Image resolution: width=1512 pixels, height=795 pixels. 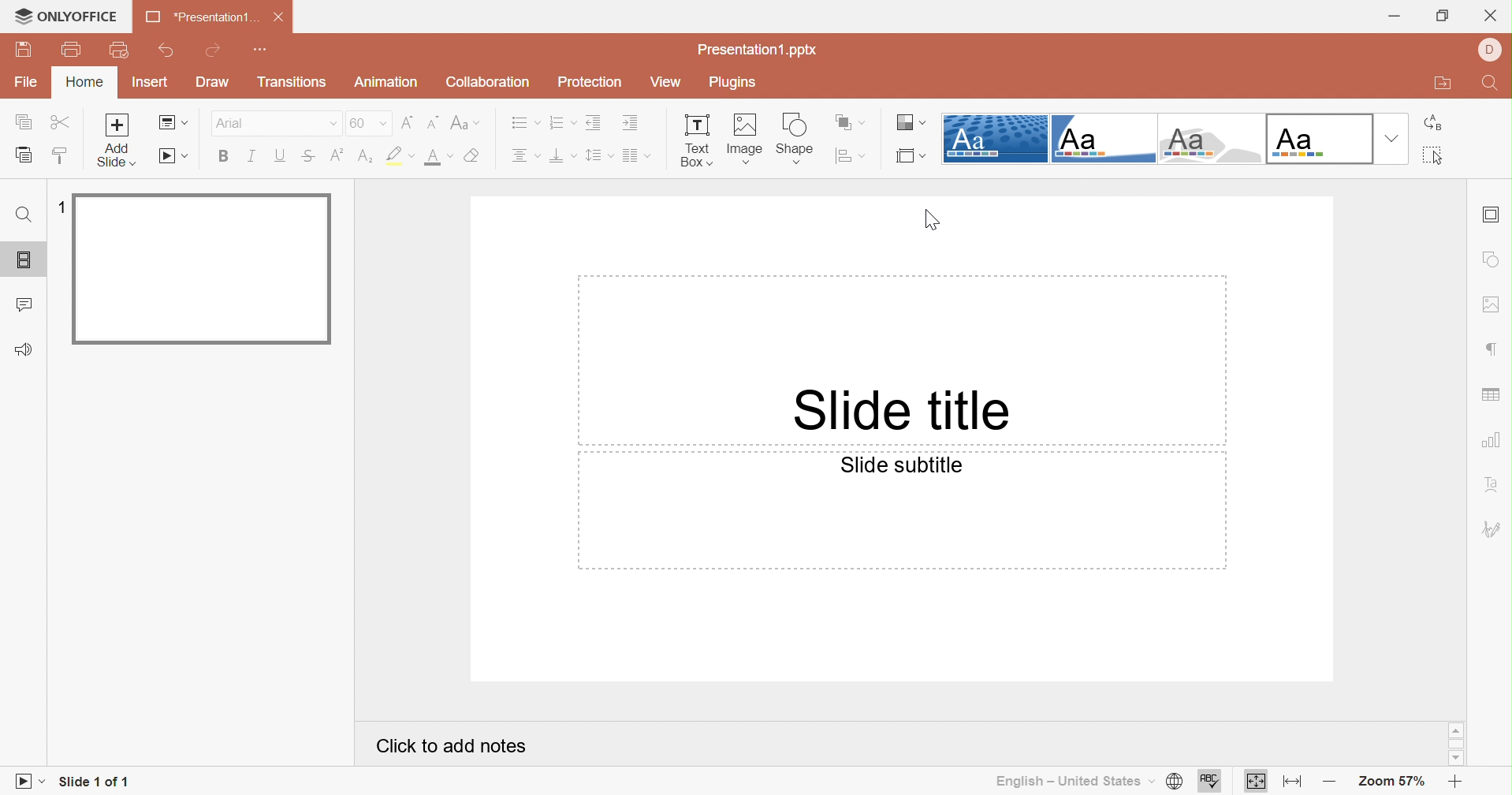 I want to click on Insert, so click(x=152, y=82).